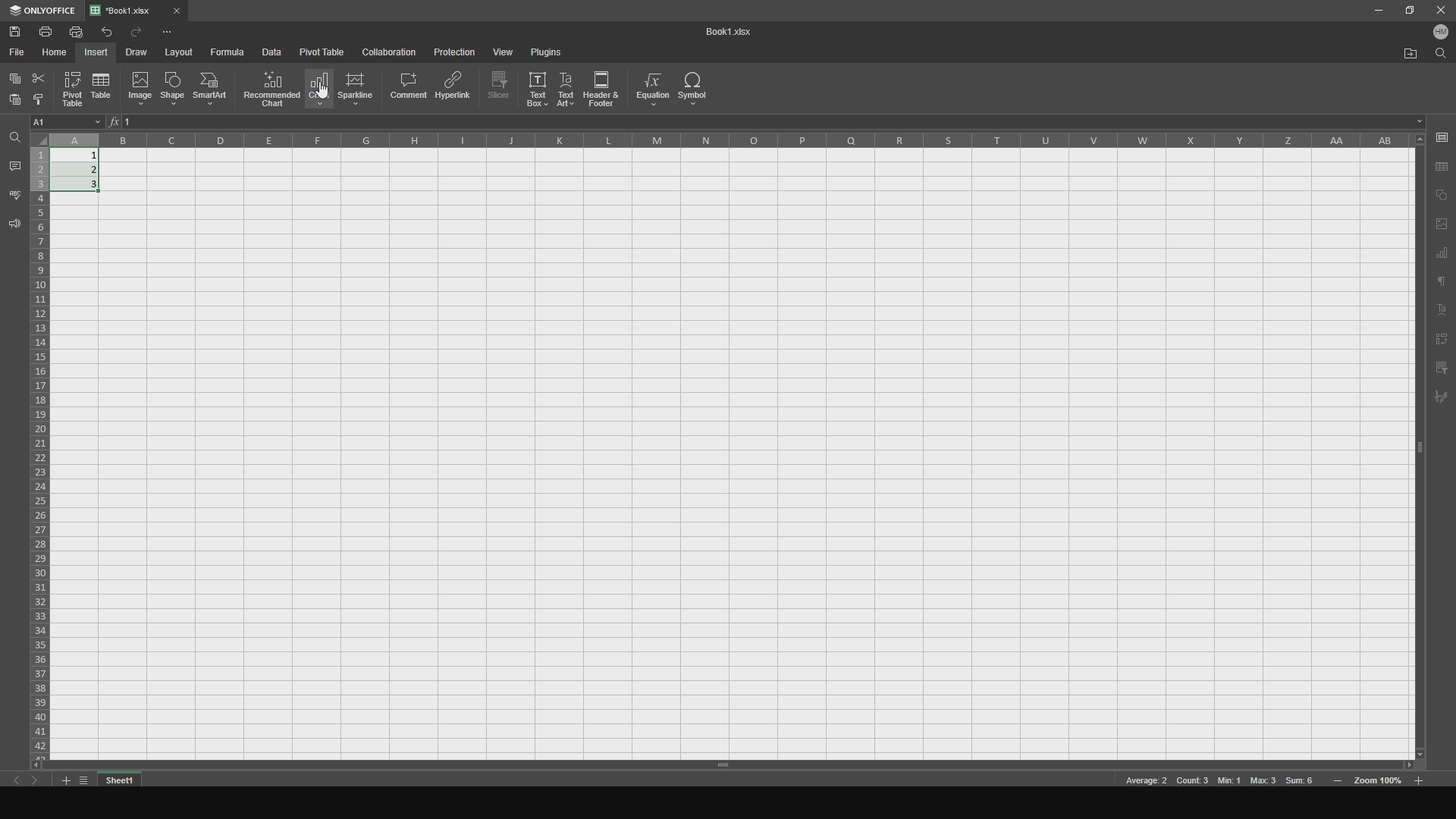 The width and height of the screenshot is (1456, 819). What do you see at coordinates (105, 31) in the screenshot?
I see `undo` at bounding box center [105, 31].